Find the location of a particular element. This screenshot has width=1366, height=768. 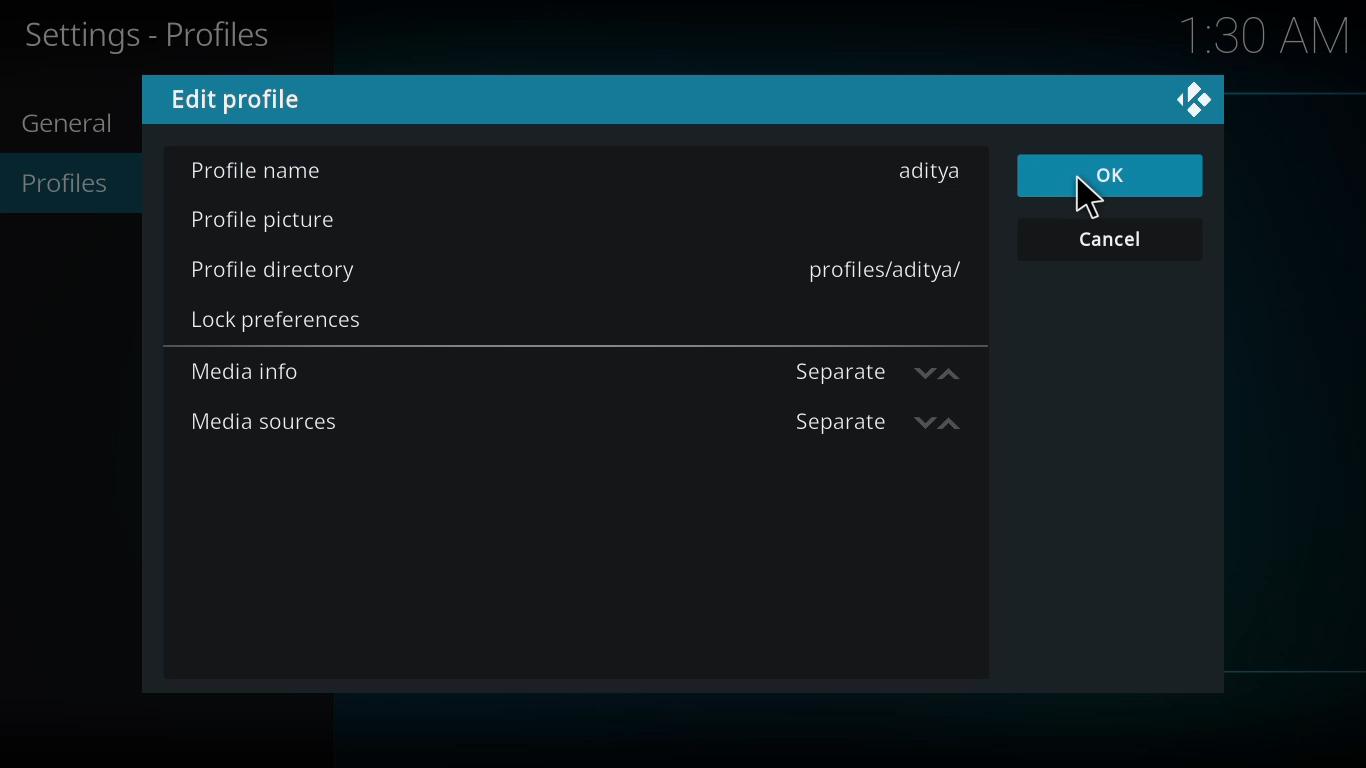

ok is located at coordinates (1117, 173).